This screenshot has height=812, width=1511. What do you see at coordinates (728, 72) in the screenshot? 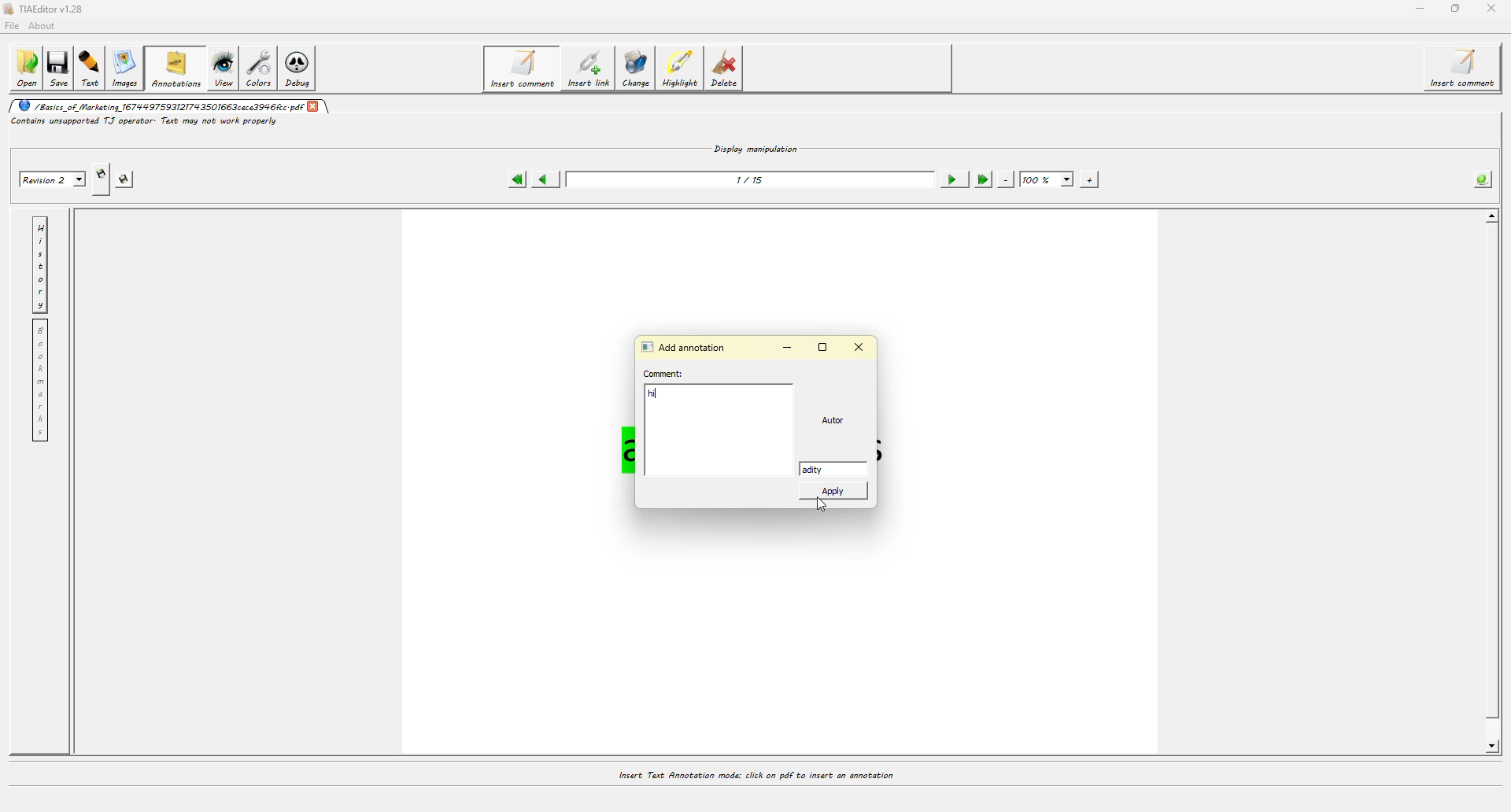
I see `delete` at bounding box center [728, 72].